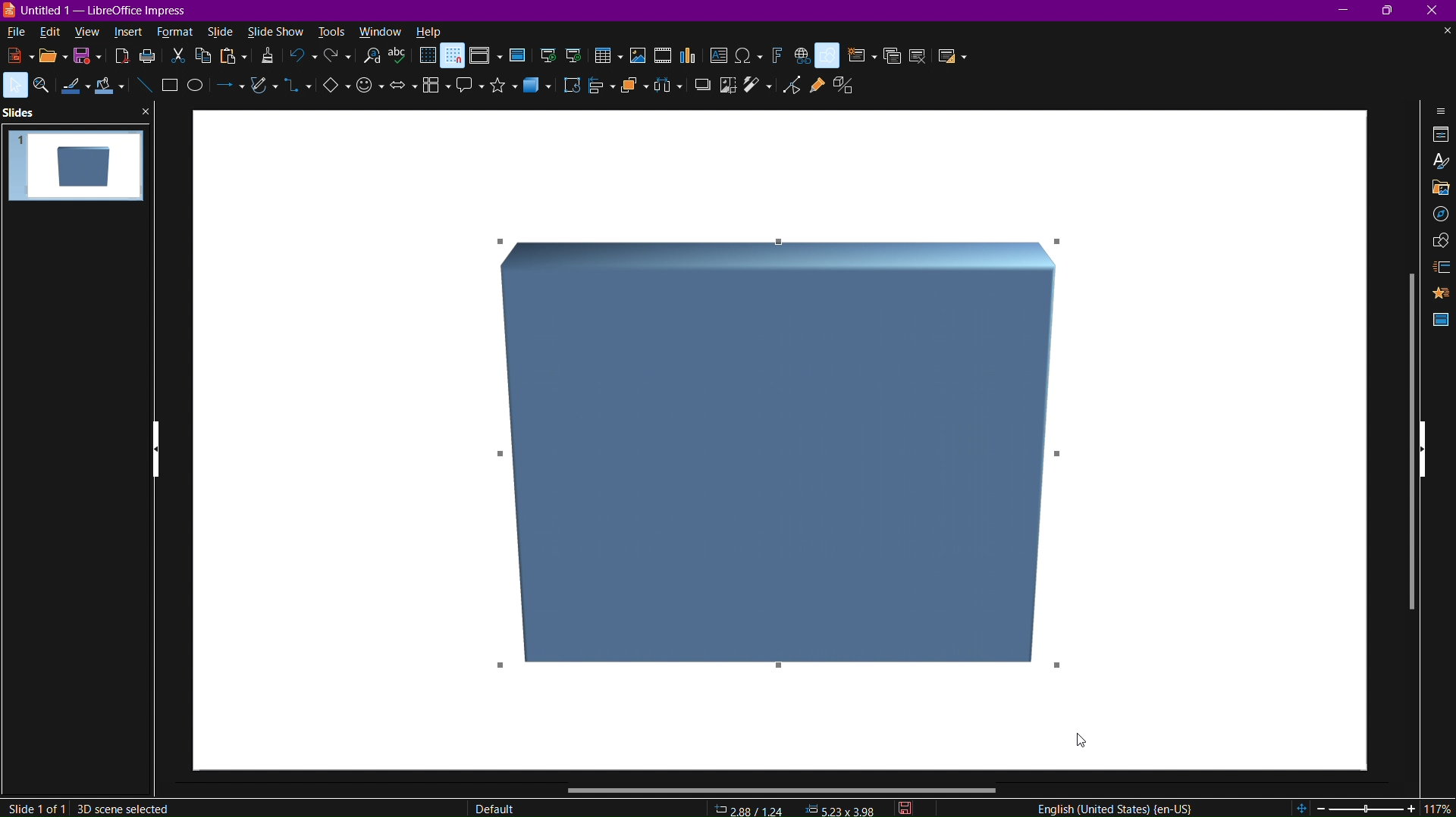 The image size is (1456, 817). What do you see at coordinates (42, 86) in the screenshot?
I see `Zoom` at bounding box center [42, 86].